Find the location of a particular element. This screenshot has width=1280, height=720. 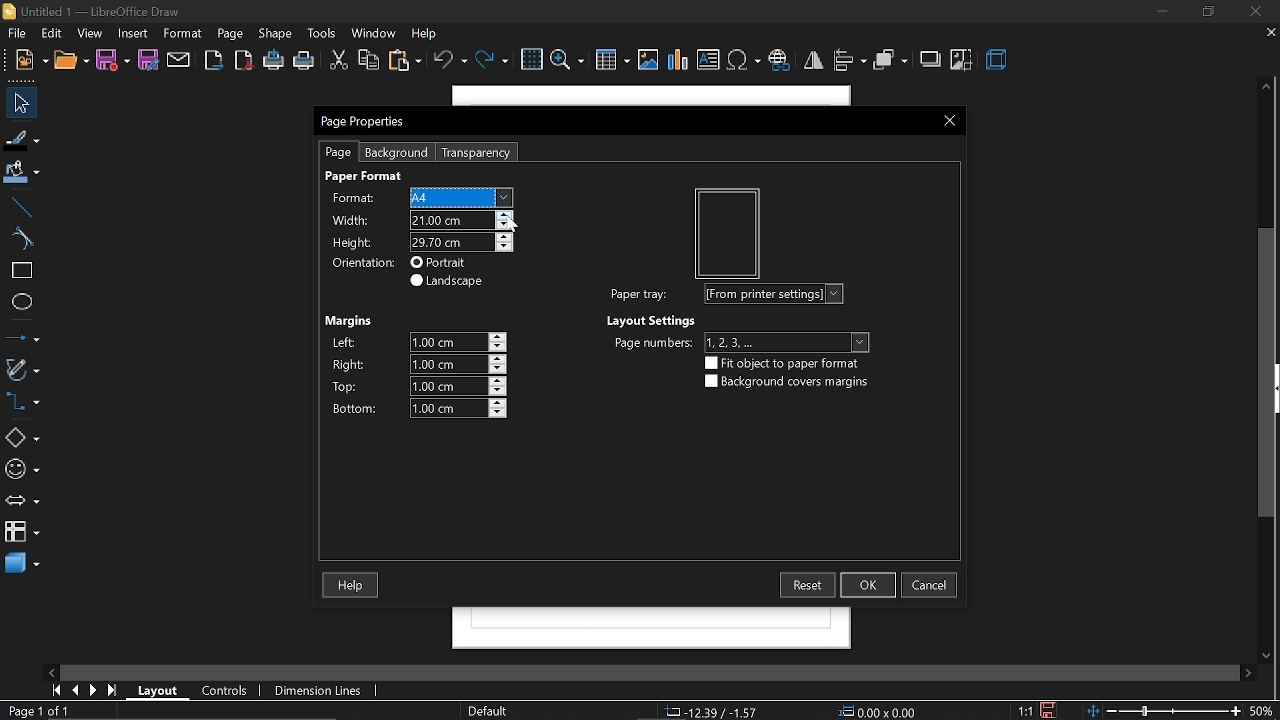

export is located at coordinates (214, 61).